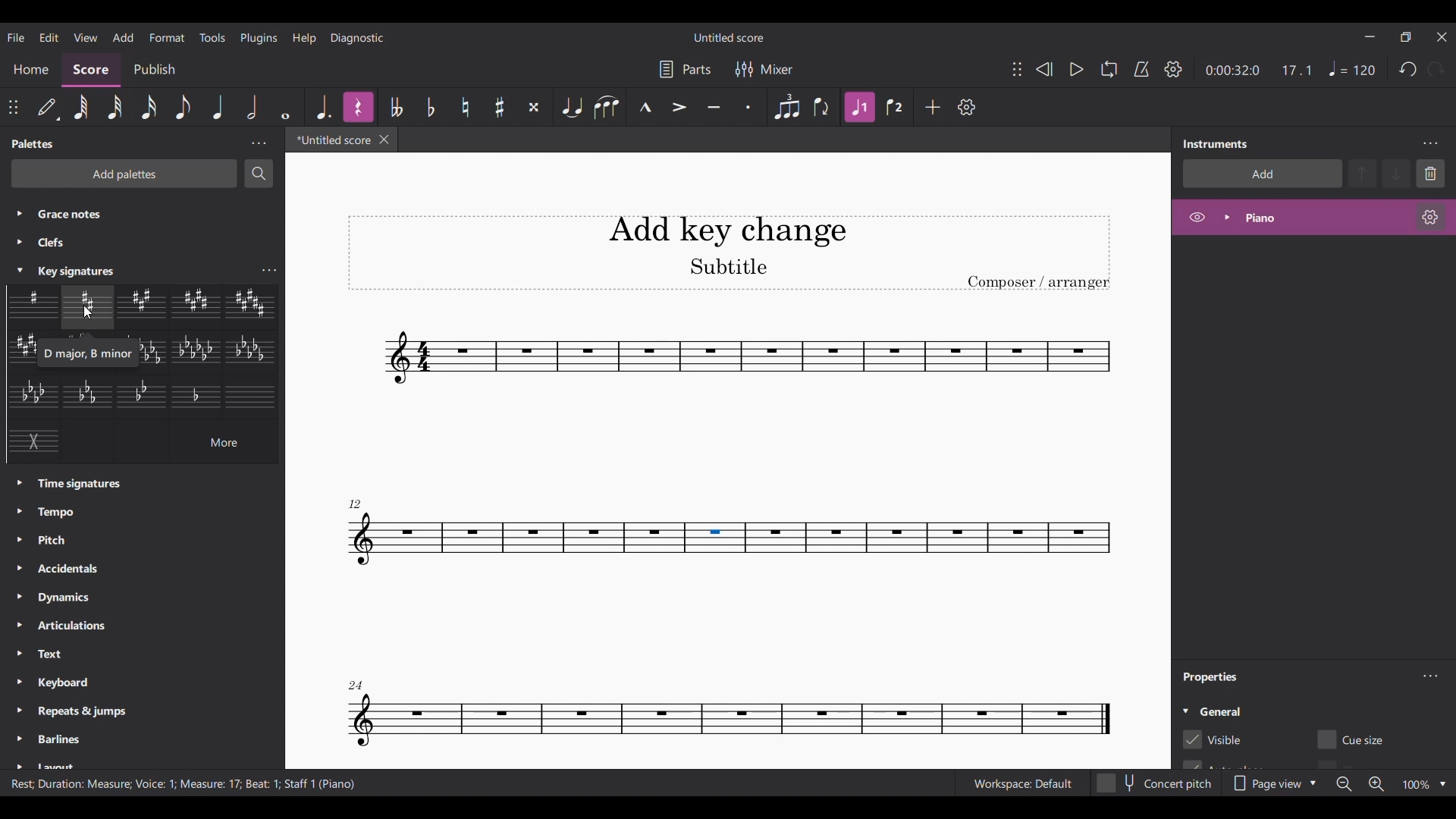 This screenshot has width=1456, height=819. Describe the element at coordinates (168, 37) in the screenshot. I see `Format menu` at that location.